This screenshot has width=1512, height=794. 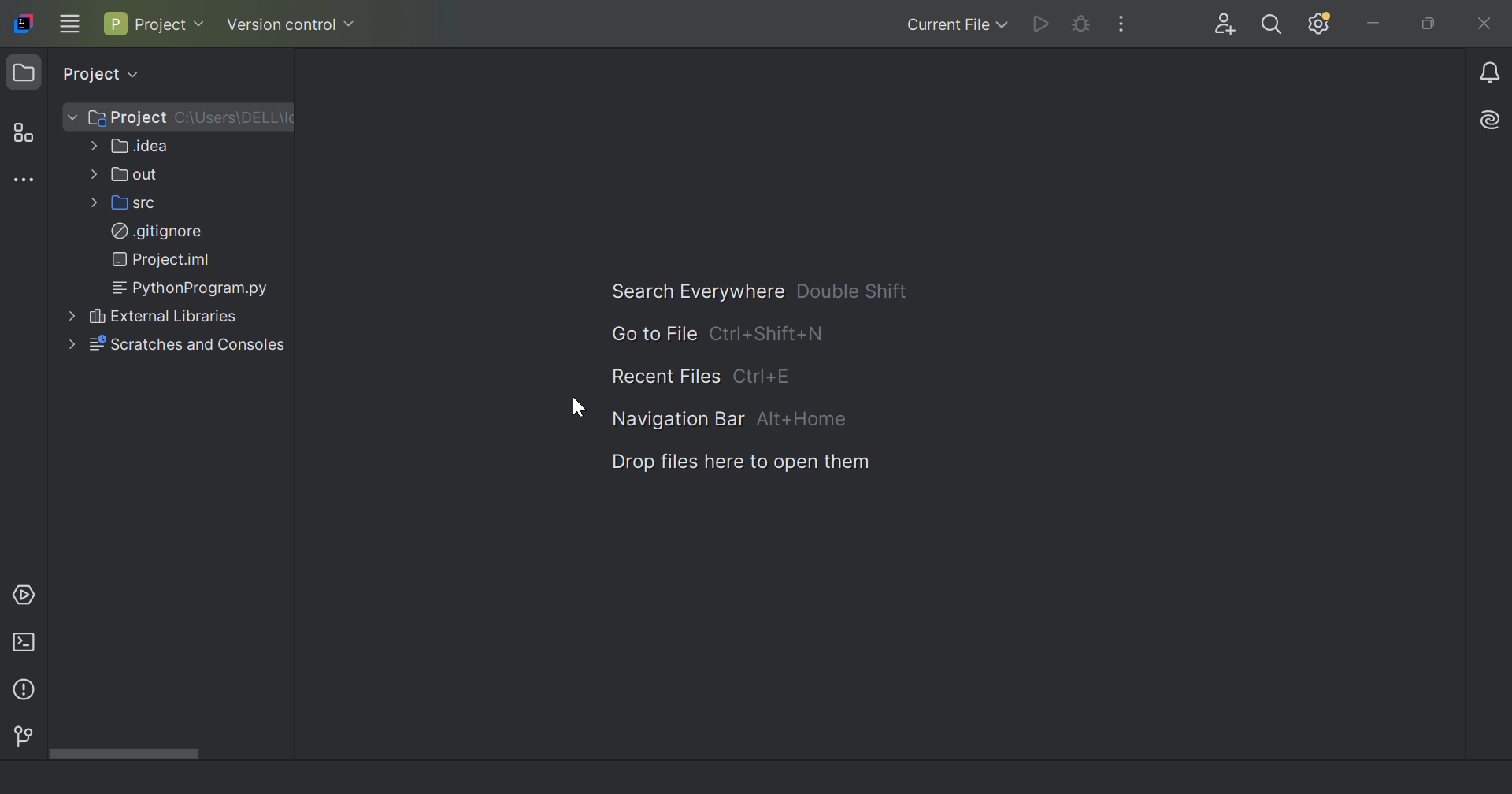 What do you see at coordinates (28, 593) in the screenshot?
I see `Services` at bounding box center [28, 593].